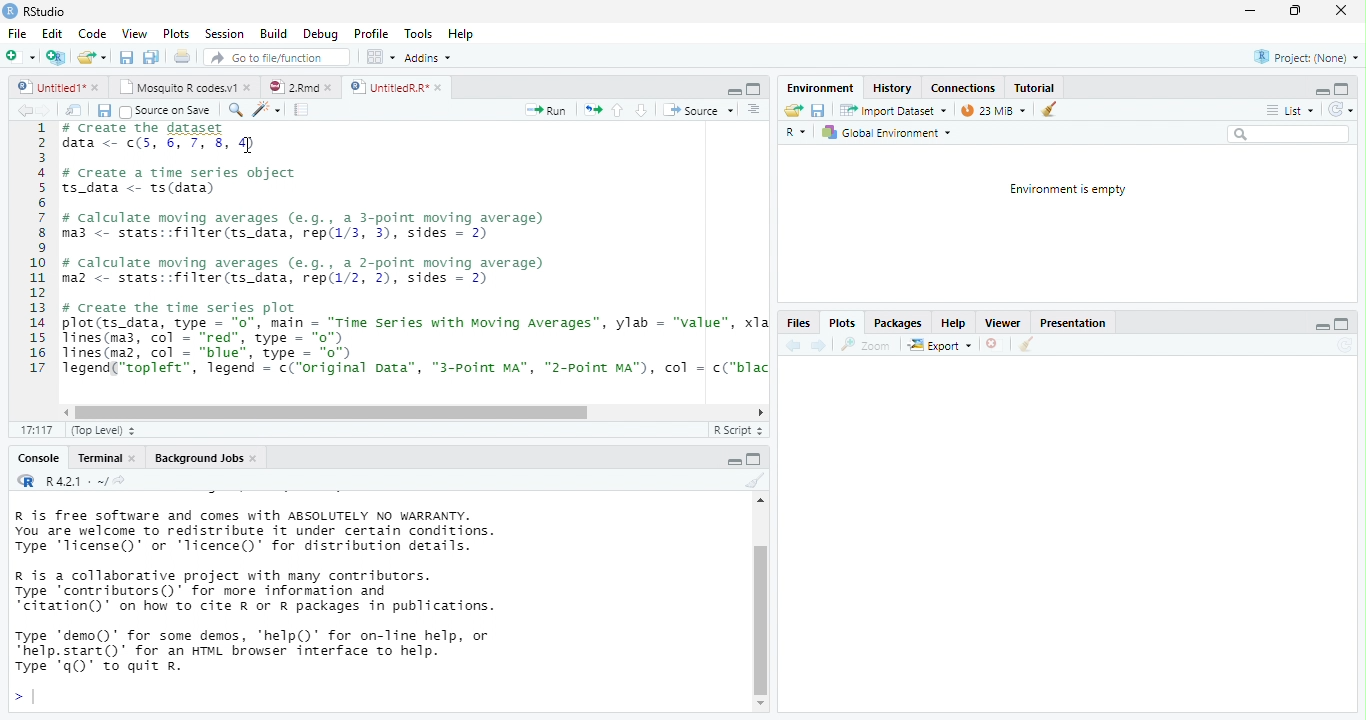  Describe the element at coordinates (399, 261) in the screenshot. I see `1 # create the dataset data <- ¢(5, 6, 7, 8, 4)34 # create a time series object5 ts_data <- ts(data)67 # calculate moving averages (e.g., a 3-point moving average)8 ma3 <- stats::filter(ts_data, rep(1/3, 3), sides = 2)910 # calculate moving averages (e.g., a 2-point moving average)11 maz <- stats::filter(ts_data, rep(1/2, 2), sides = 2)1213 # Create the time series plot14 plot(ts_data, type = "0", main = “Time Series with Moving Averages”, ylab = "value", xla15 lines(ma3, col - “red”, type = "0")16 lines(maz, col = “blue”, type = "o")17 Tegend(“topleft”, legend = c("original Data”, “"3-Point MA”, "2-Point MA"), col = c("blac` at that location.